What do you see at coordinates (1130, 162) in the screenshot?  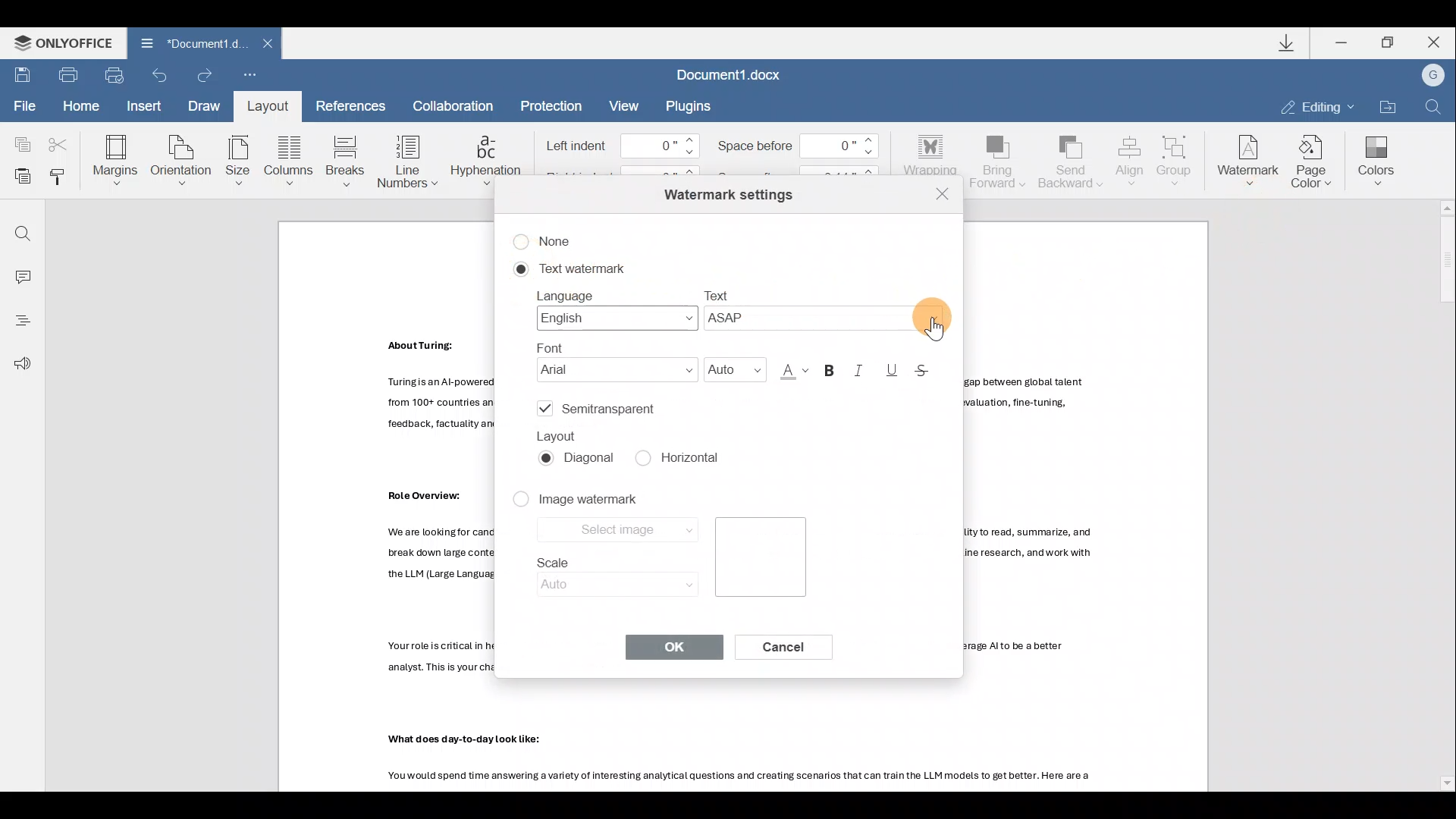 I see `Align` at bounding box center [1130, 162].